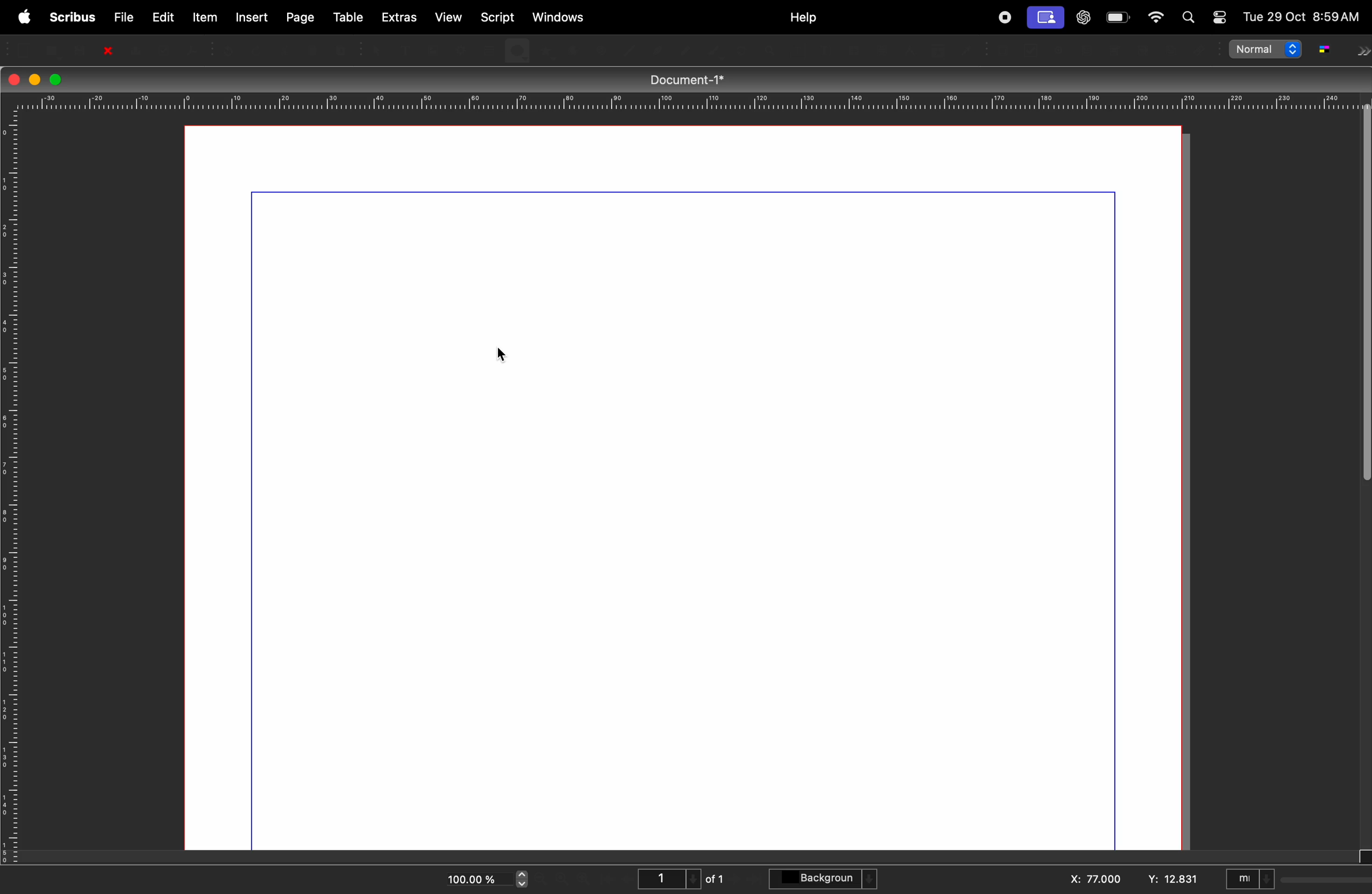 Image resolution: width=1372 pixels, height=894 pixels. What do you see at coordinates (1089, 50) in the screenshot?
I see `PDF text field` at bounding box center [1089, 50].